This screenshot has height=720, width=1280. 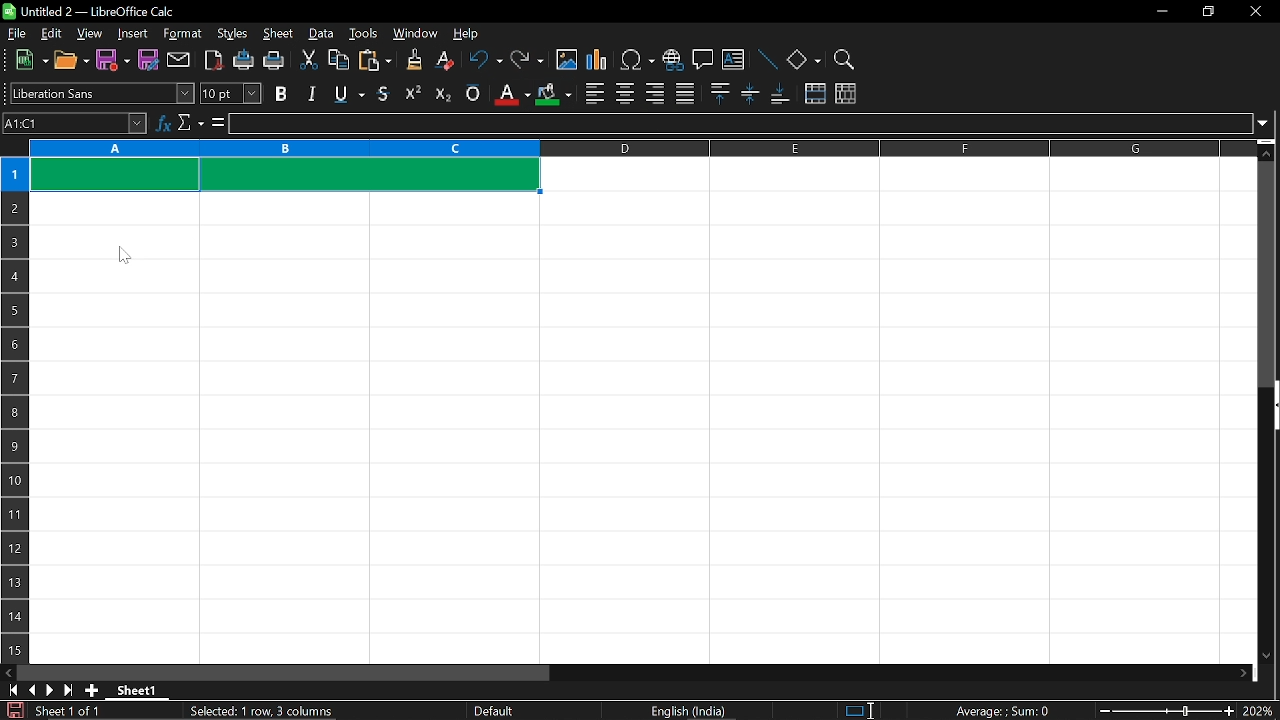 I want to click on move right, so click(x=1245, y=672).